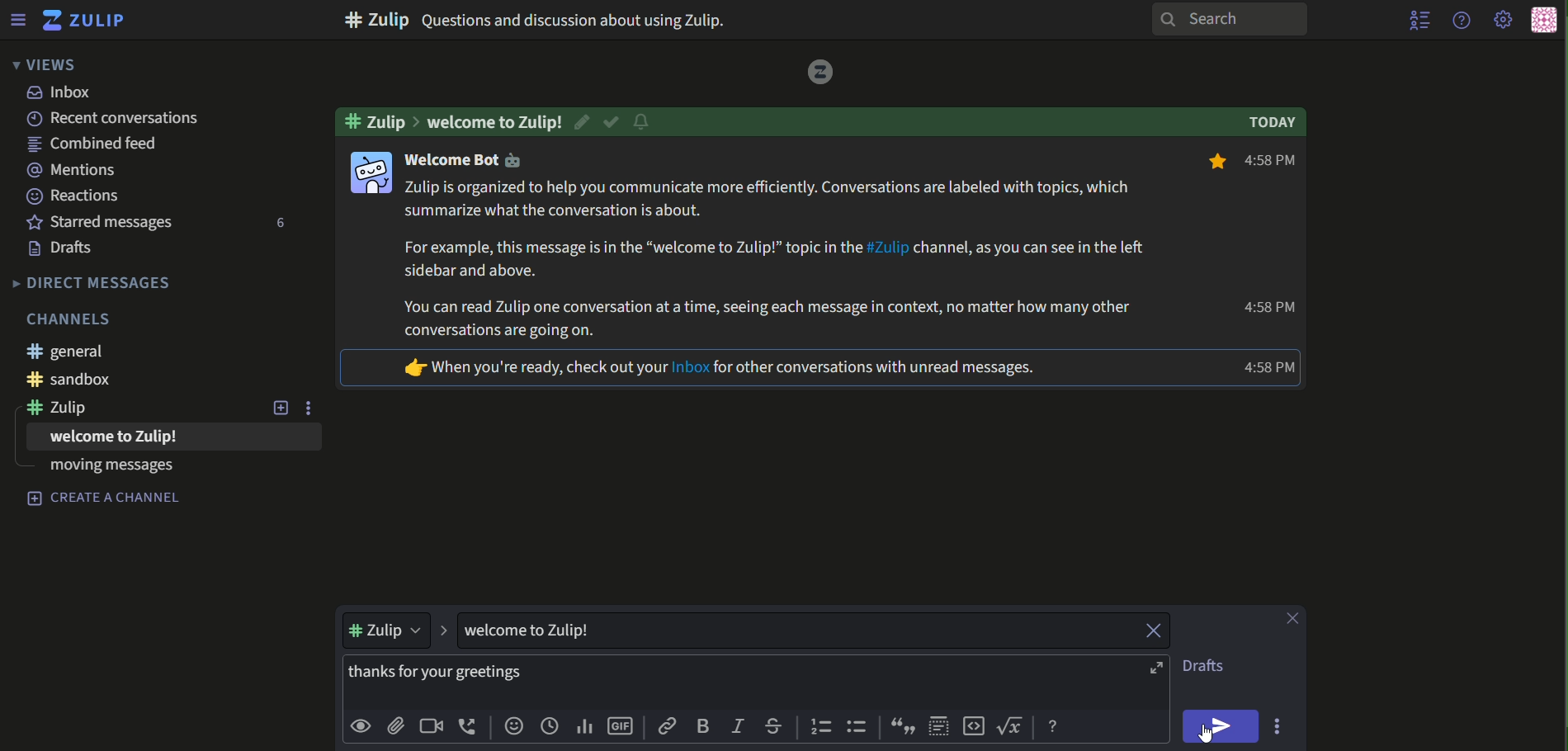  I want to click on text, so click(67, 249).